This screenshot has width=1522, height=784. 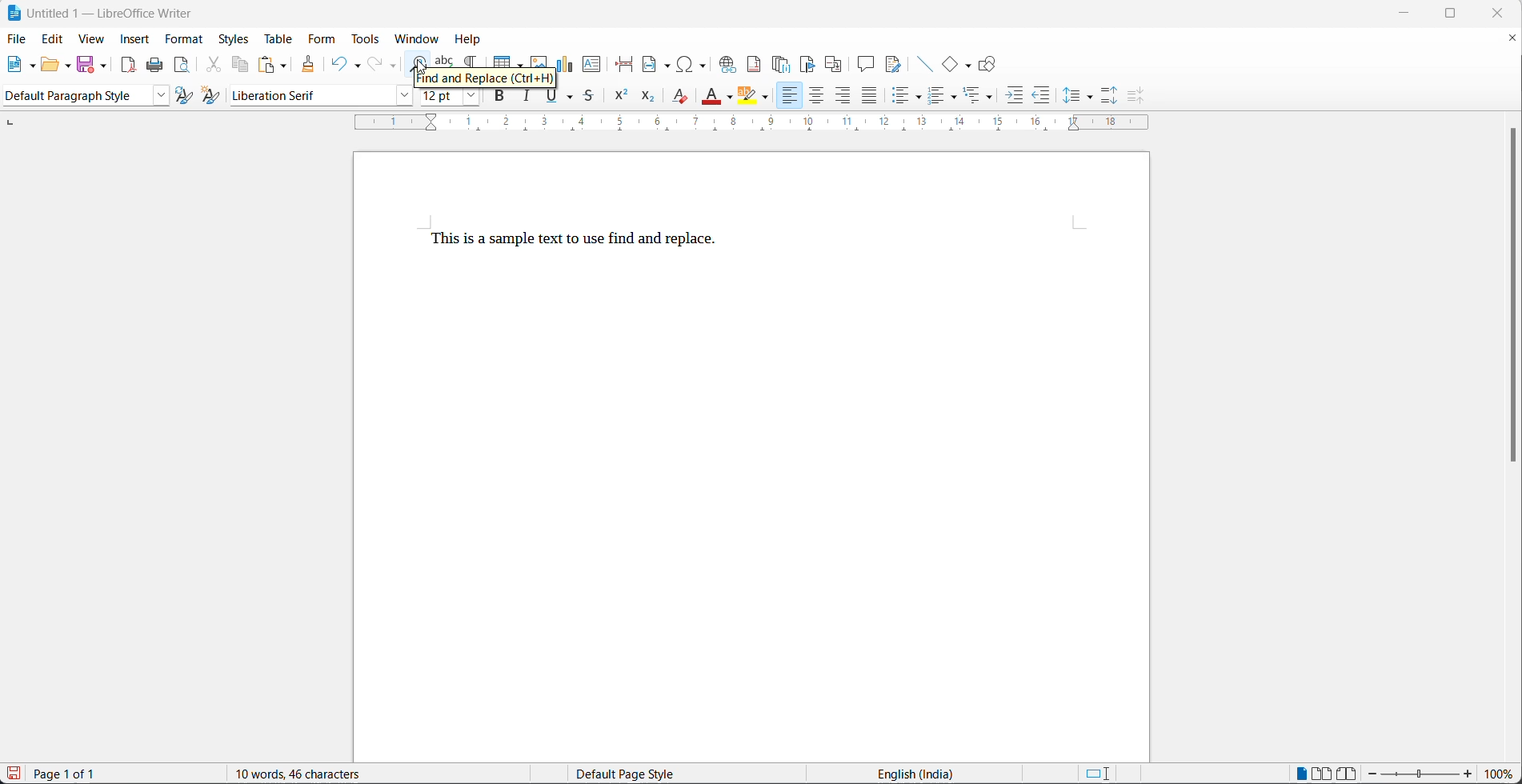 I want to click on Default page style, so click(x=636, y=774).